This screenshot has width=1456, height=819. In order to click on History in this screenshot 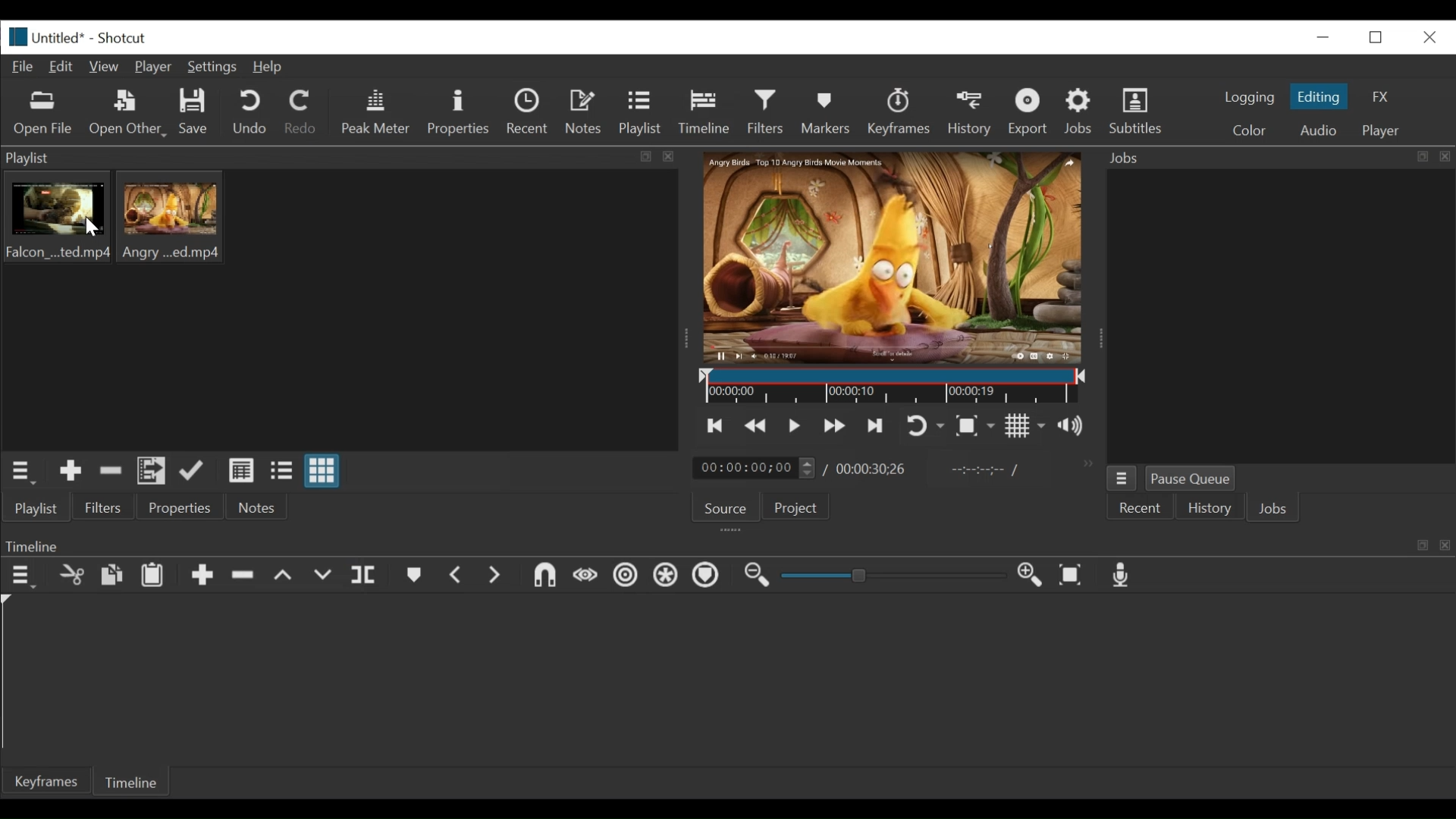, I will do `click(1210, 510)`.